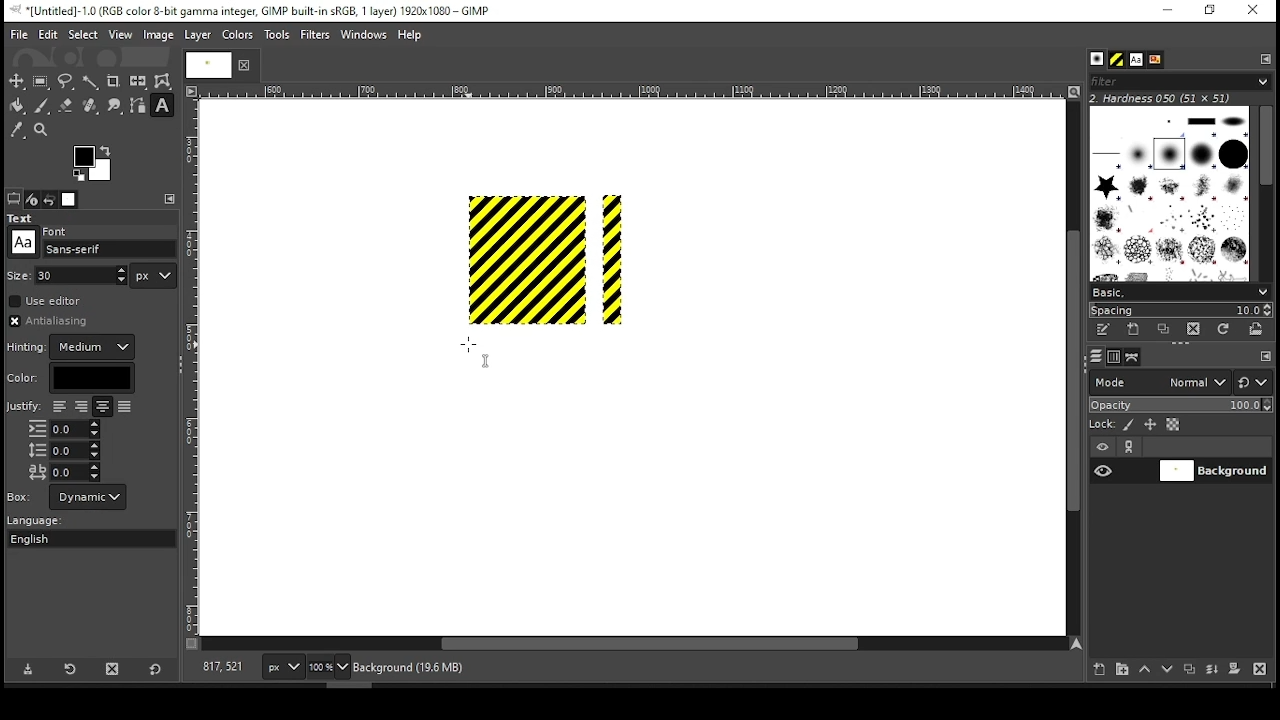 Image resolution: width=1280 pixels, height=720 pixels. I want to click on selection tool, so click(17, 81).